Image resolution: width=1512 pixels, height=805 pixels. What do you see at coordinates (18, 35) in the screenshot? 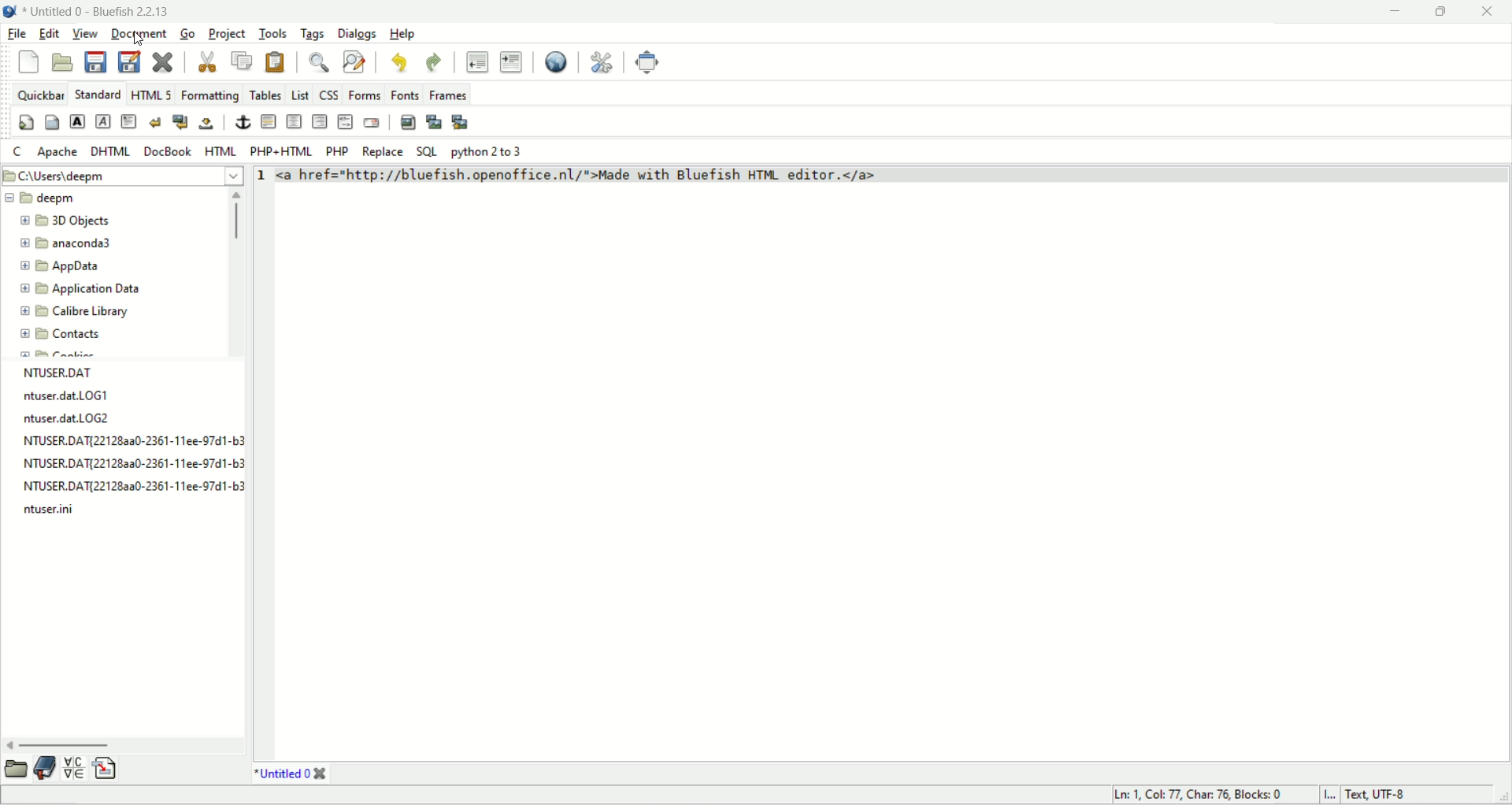
I see `file` at bounding box center [18, 35].